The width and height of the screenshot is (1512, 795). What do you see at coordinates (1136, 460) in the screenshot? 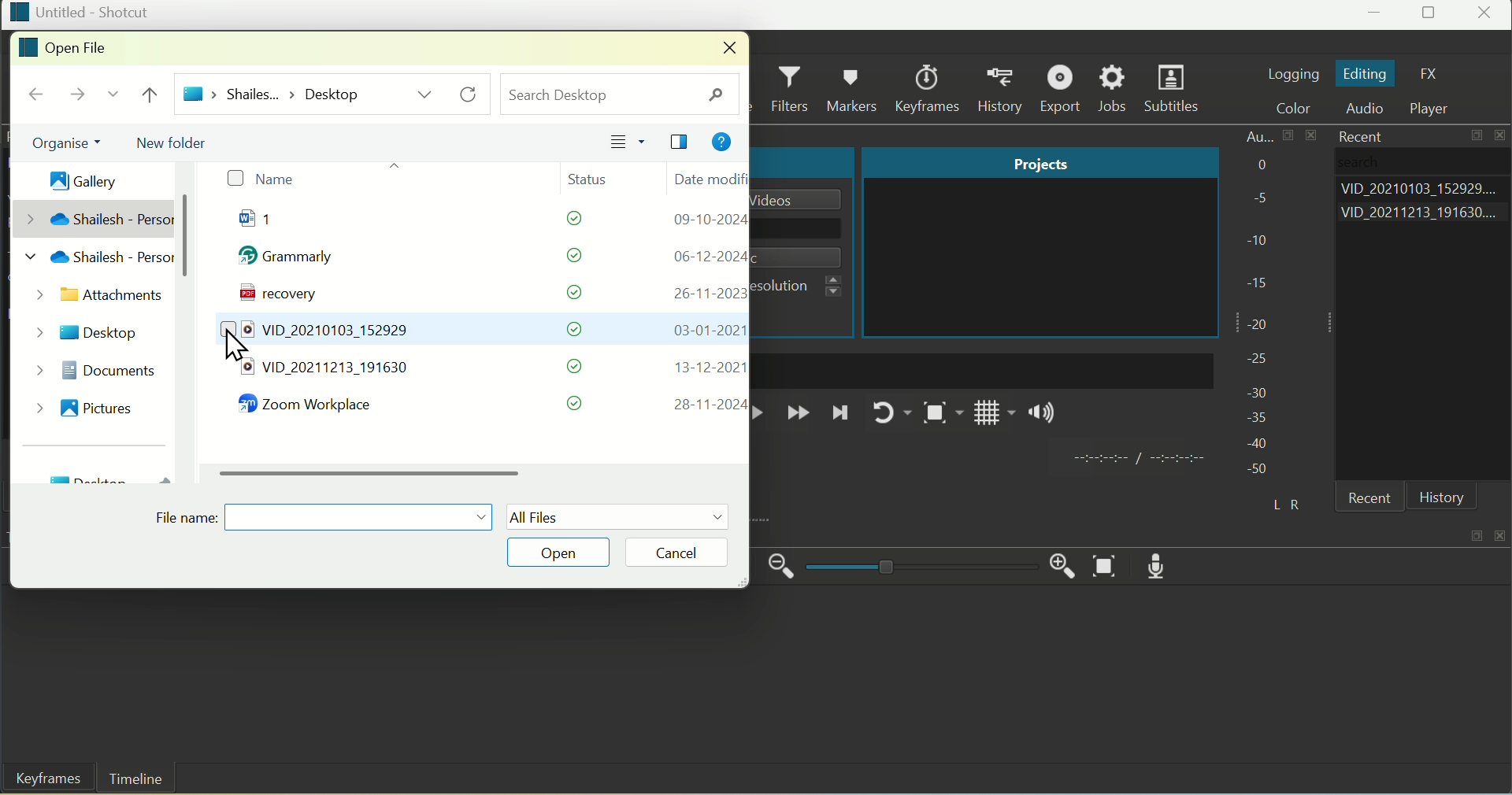
I see `duration` at bounding box center [1136, 460].